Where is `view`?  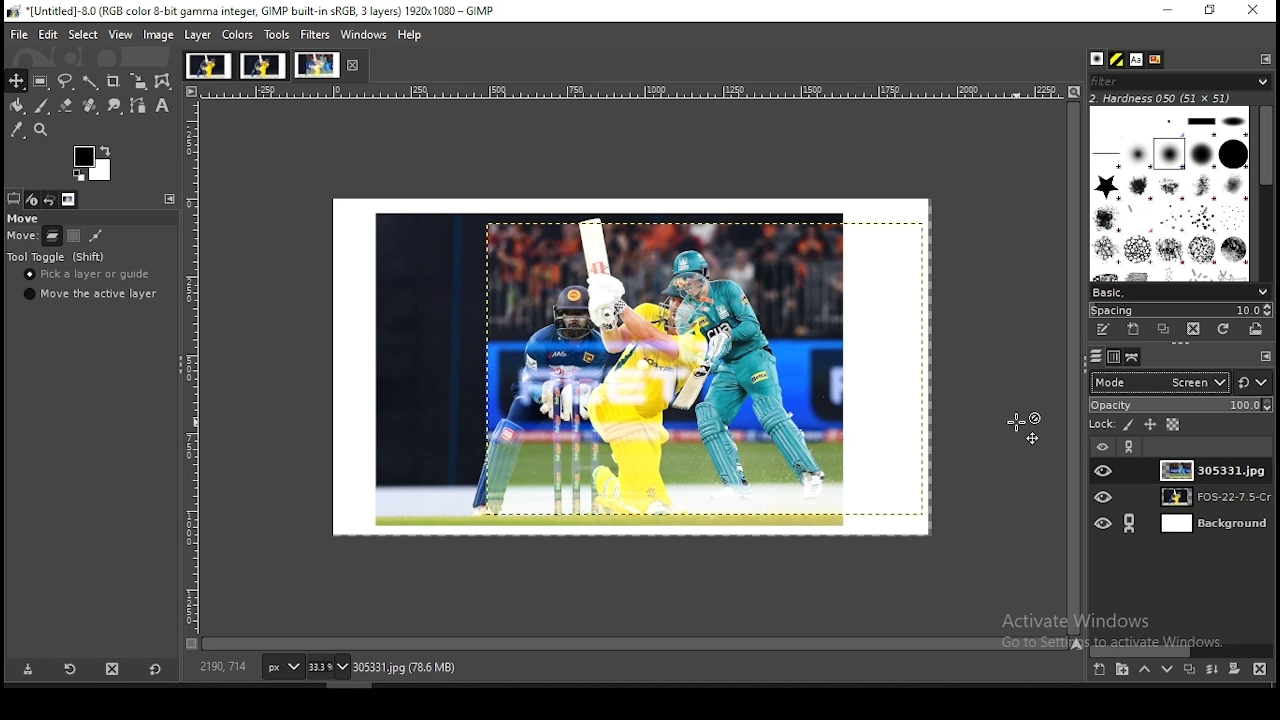
view is located at coordinates (121, 36).